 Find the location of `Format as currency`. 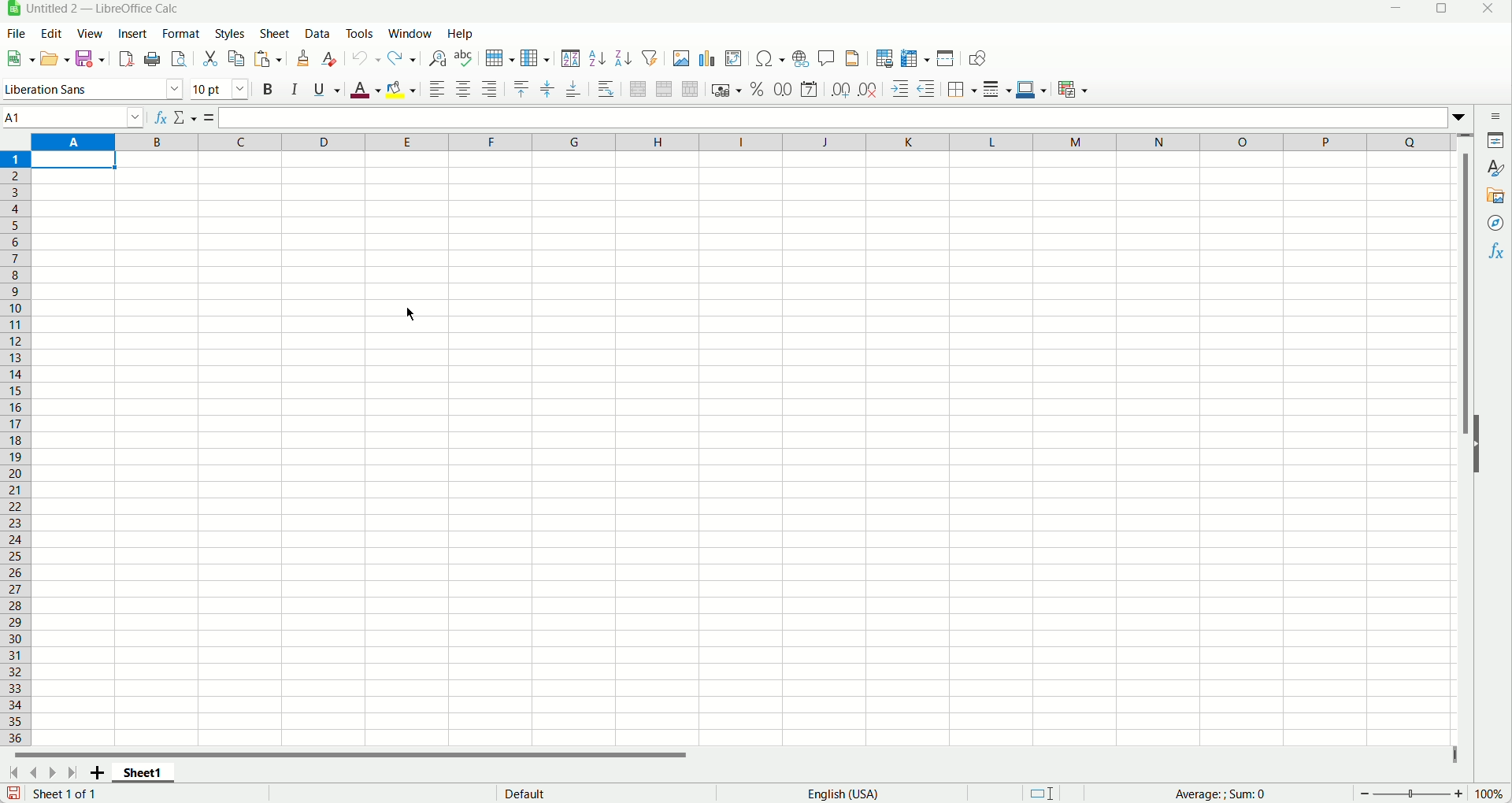

Format as currency is located at coordinates (727, 90).